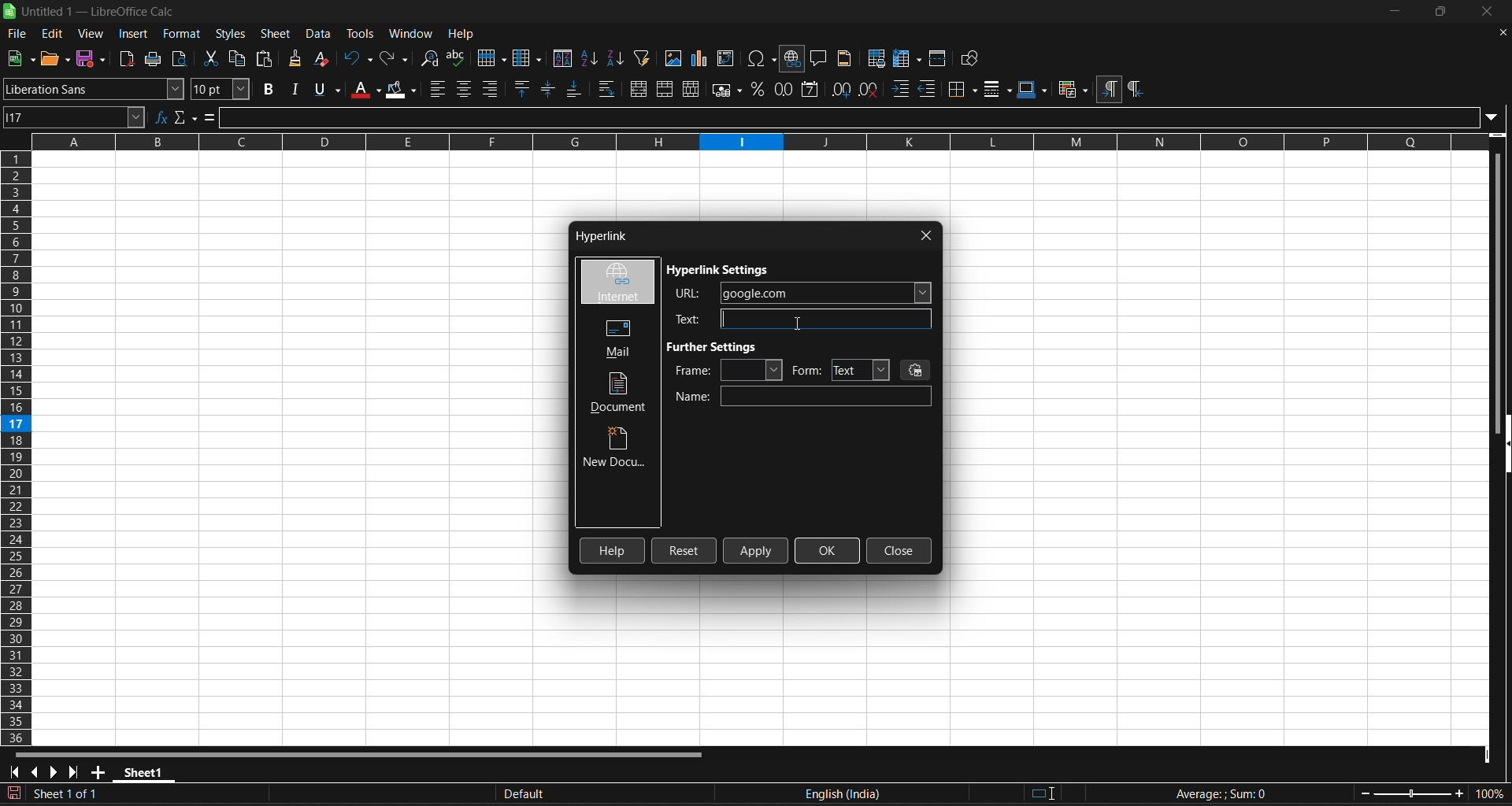 This screenshot has height=806, width=1512. Describe the element at coordinates (439, 89) in the screenshot. I see `align left` at that location.